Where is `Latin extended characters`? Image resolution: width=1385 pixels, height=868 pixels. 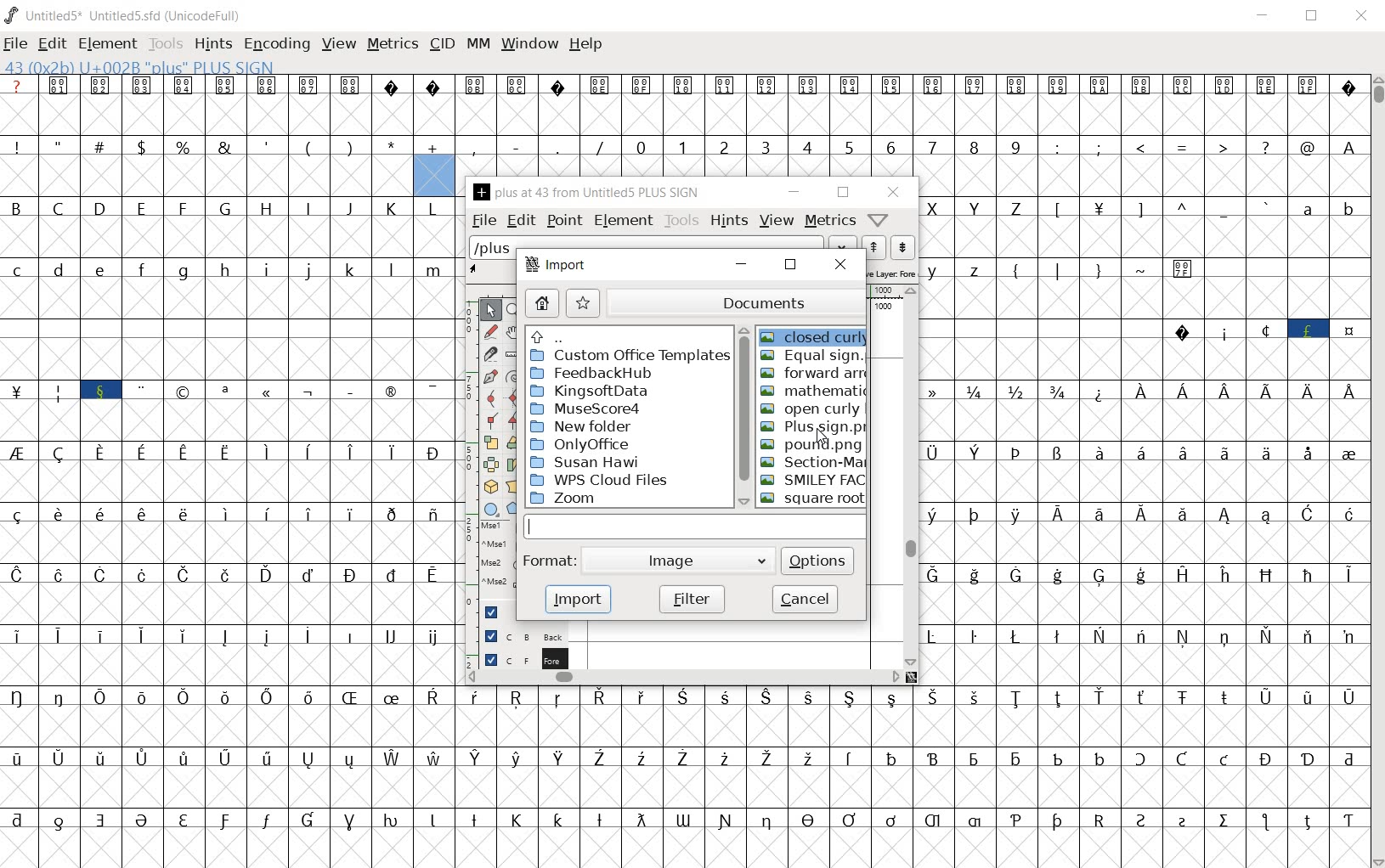 Latin extended characters is located at coordinates (1206, 472).